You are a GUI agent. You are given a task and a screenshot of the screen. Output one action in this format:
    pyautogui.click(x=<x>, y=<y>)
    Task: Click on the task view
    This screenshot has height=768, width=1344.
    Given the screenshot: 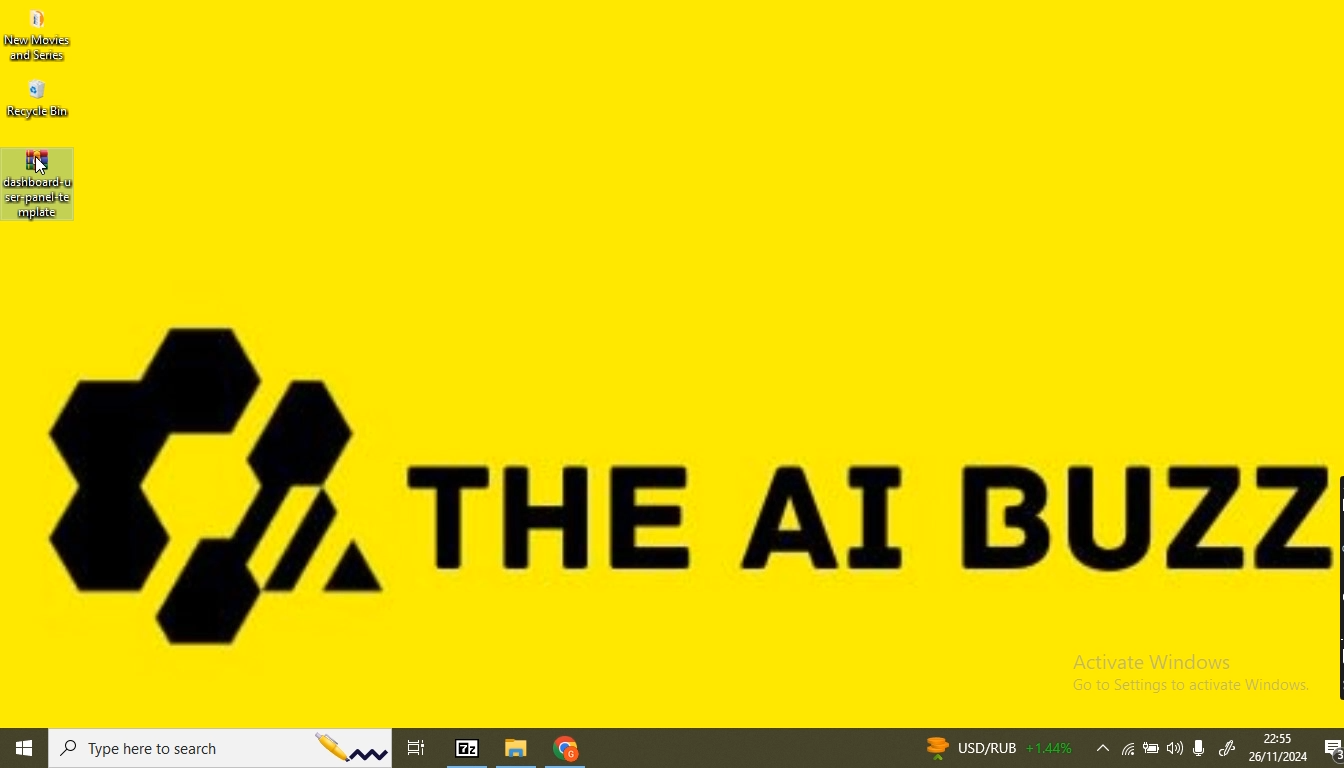 What is the action you would take?
    pyautogui.click(x=421, y=745)
    